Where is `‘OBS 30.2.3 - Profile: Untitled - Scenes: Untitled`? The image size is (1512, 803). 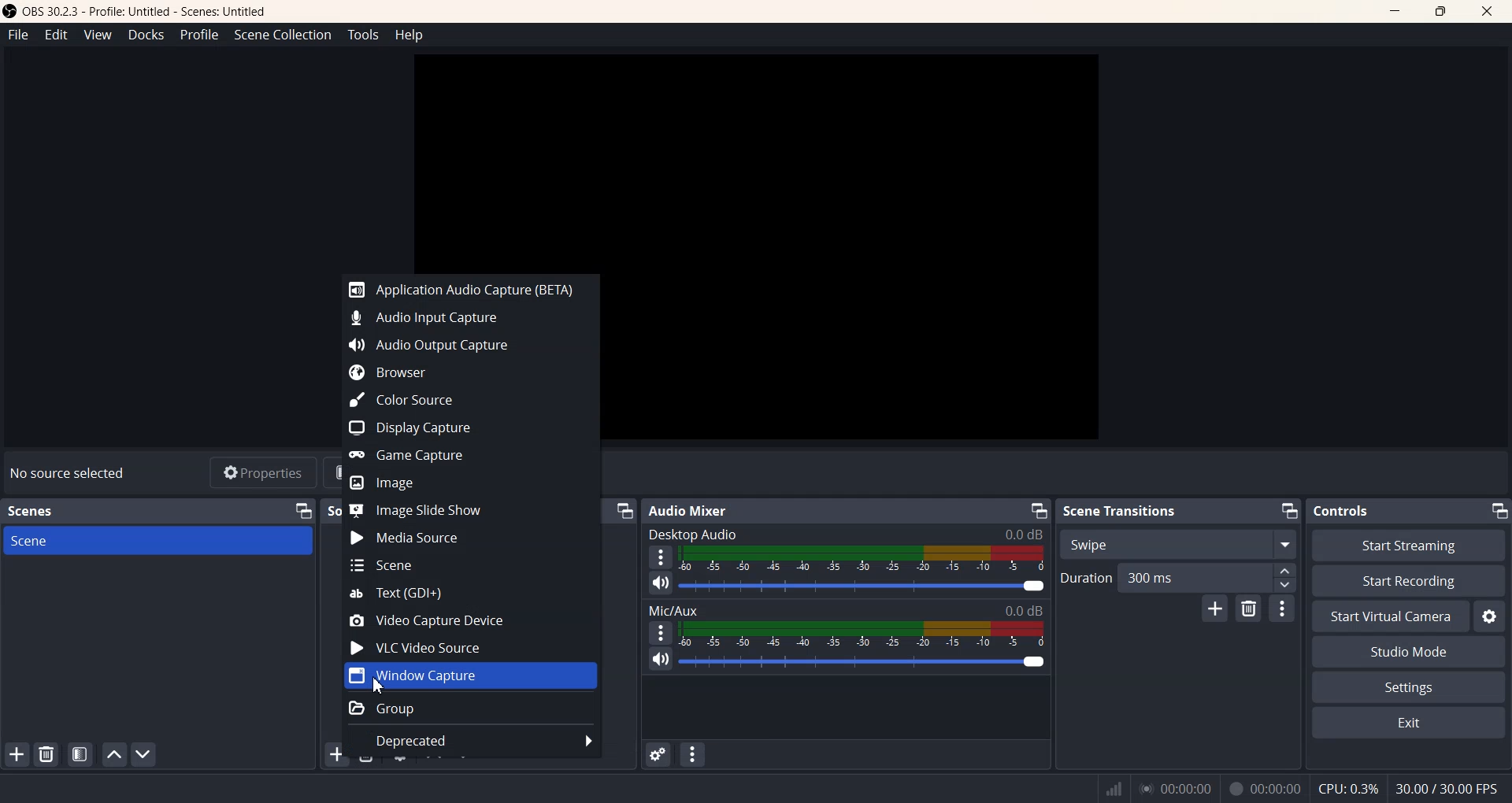 ‘OBS 30.2.3 - Profile: Untitled - Scenes: Untitled is located at coordinates (137, 11).